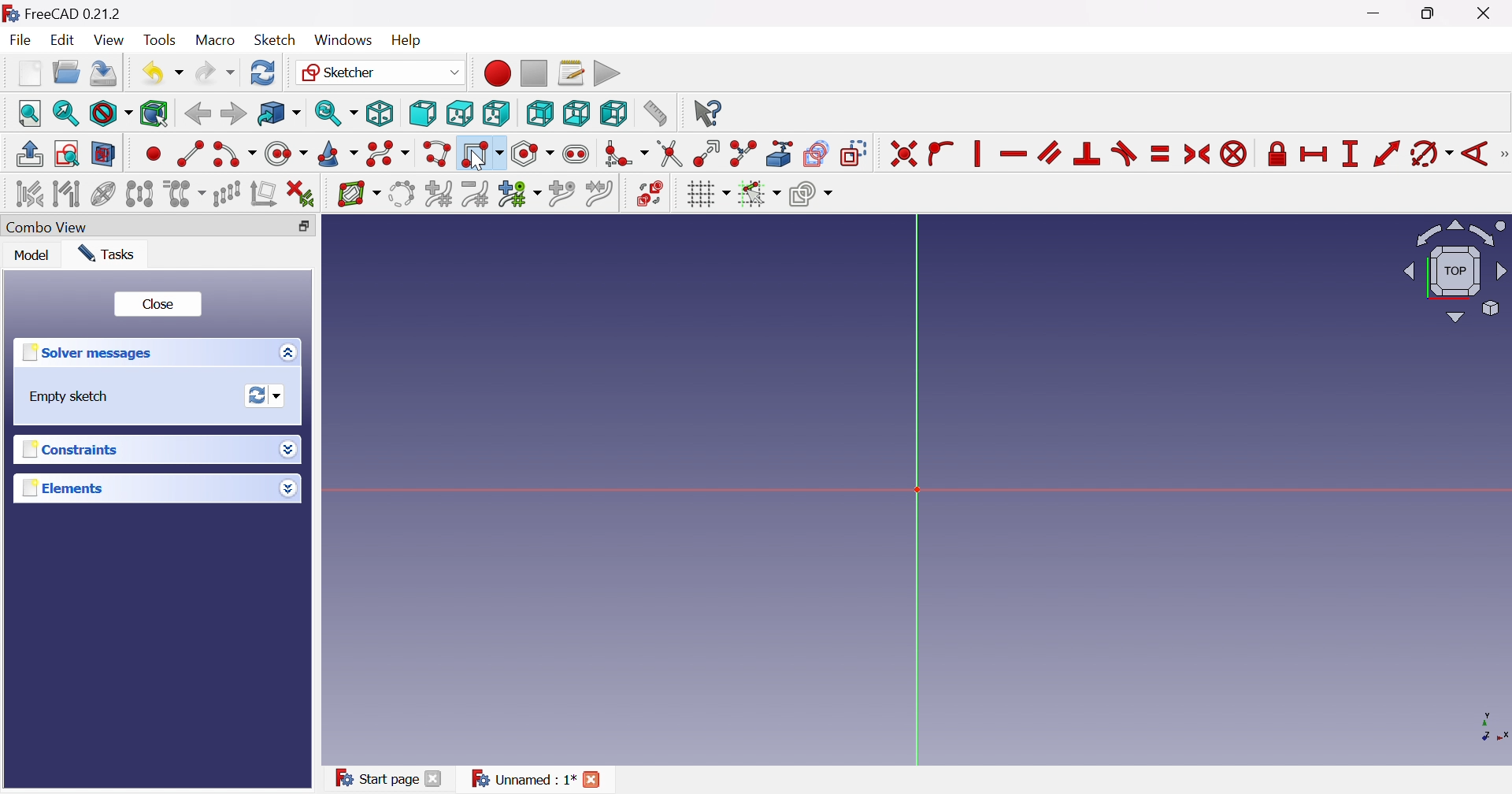 The image size is (1512, 794). Describe the element at coordinates (275, 39) in the screenshot. I see `Sketch` at that location.